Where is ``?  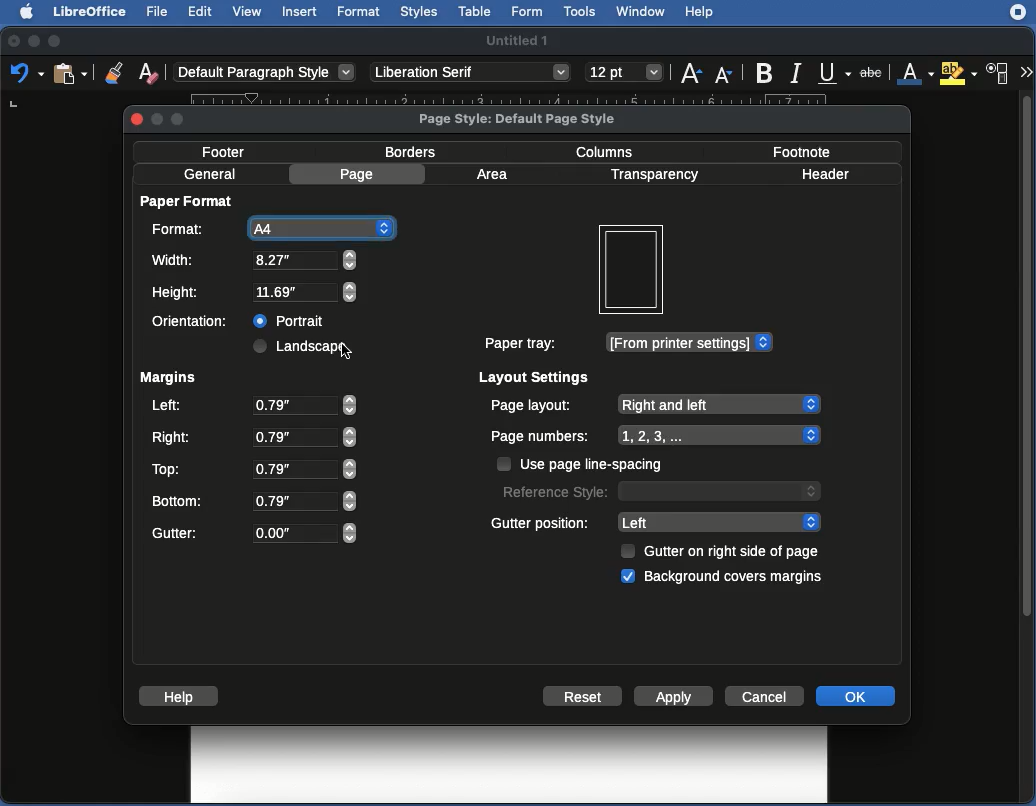
 is located at coordinates (472, 74).